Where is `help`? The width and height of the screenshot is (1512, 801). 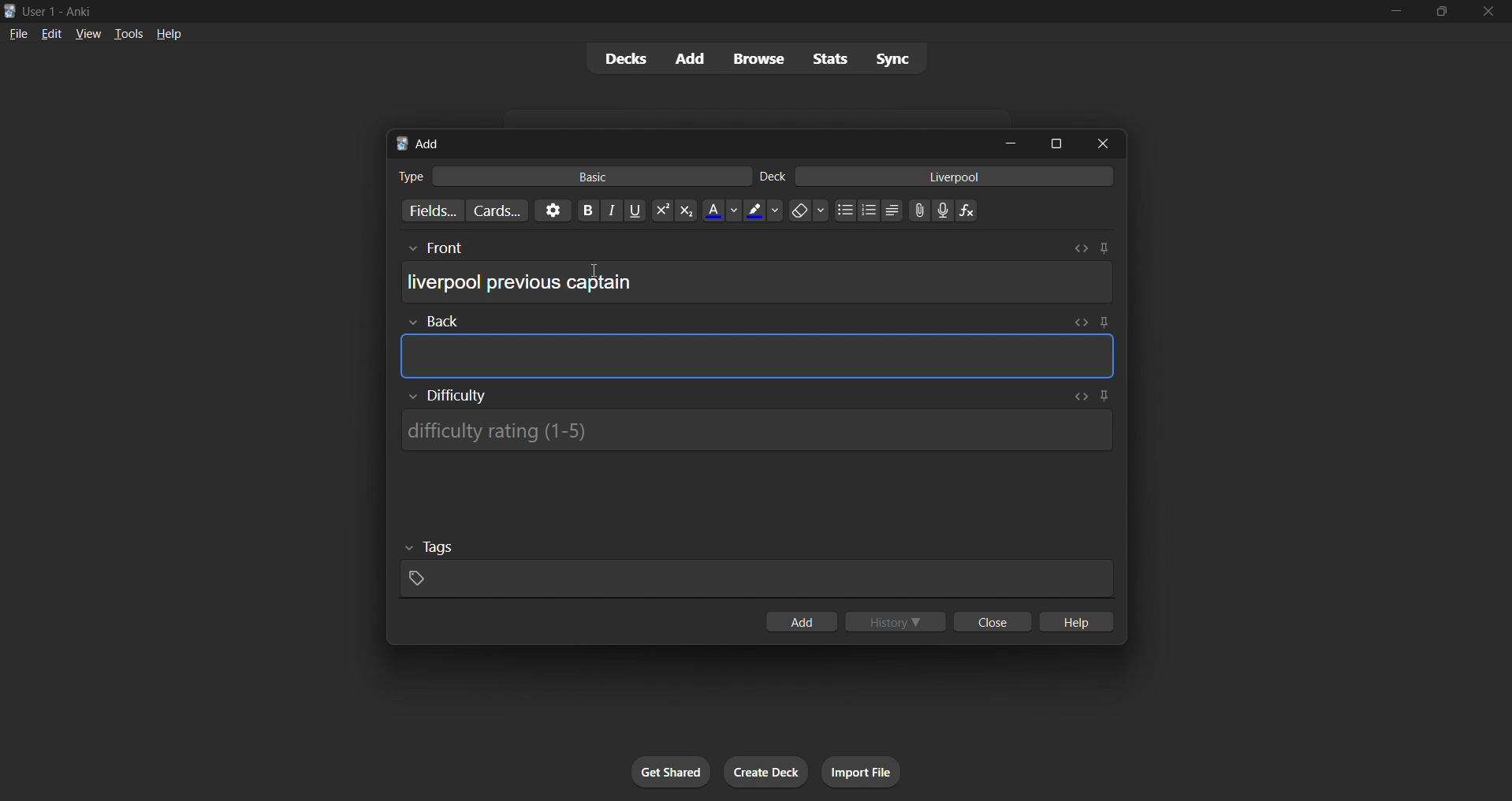 help is located at coordinates (171, 32).